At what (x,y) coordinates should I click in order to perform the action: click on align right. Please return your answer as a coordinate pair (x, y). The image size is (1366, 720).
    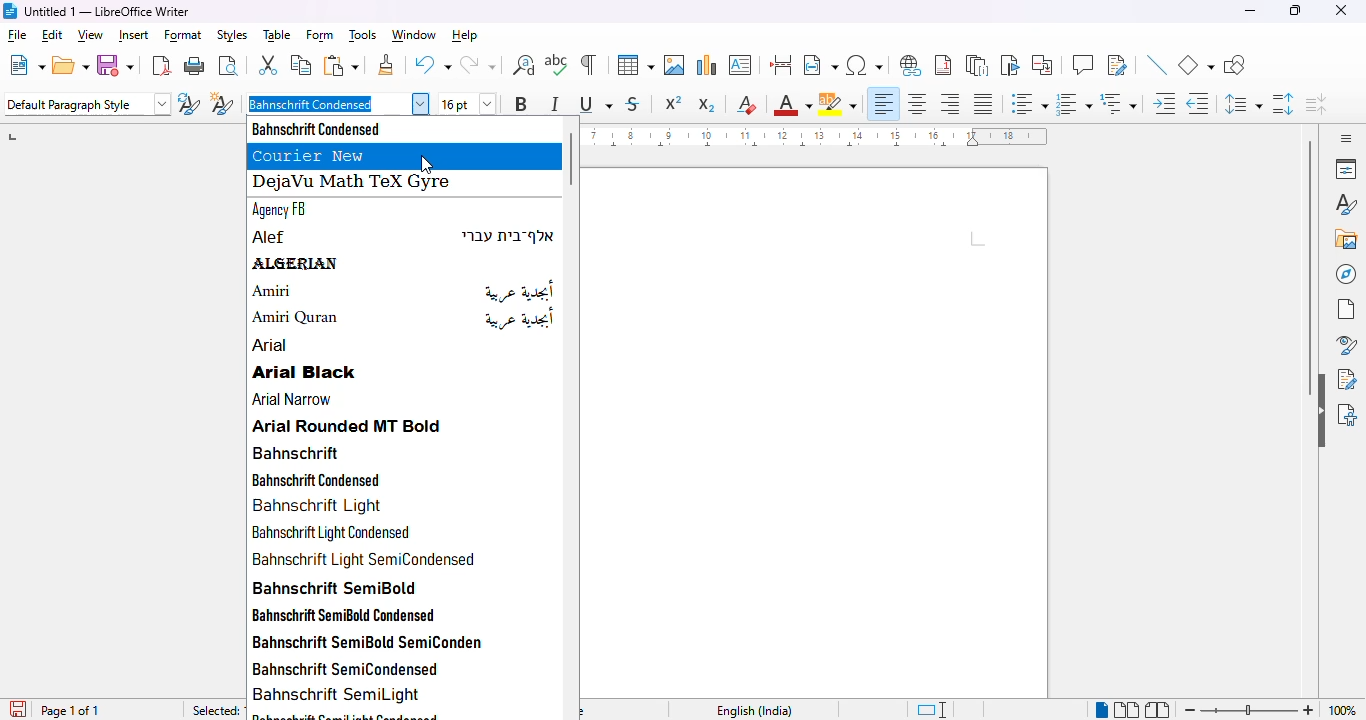
    Looking at the image, I should click on (951, 104).